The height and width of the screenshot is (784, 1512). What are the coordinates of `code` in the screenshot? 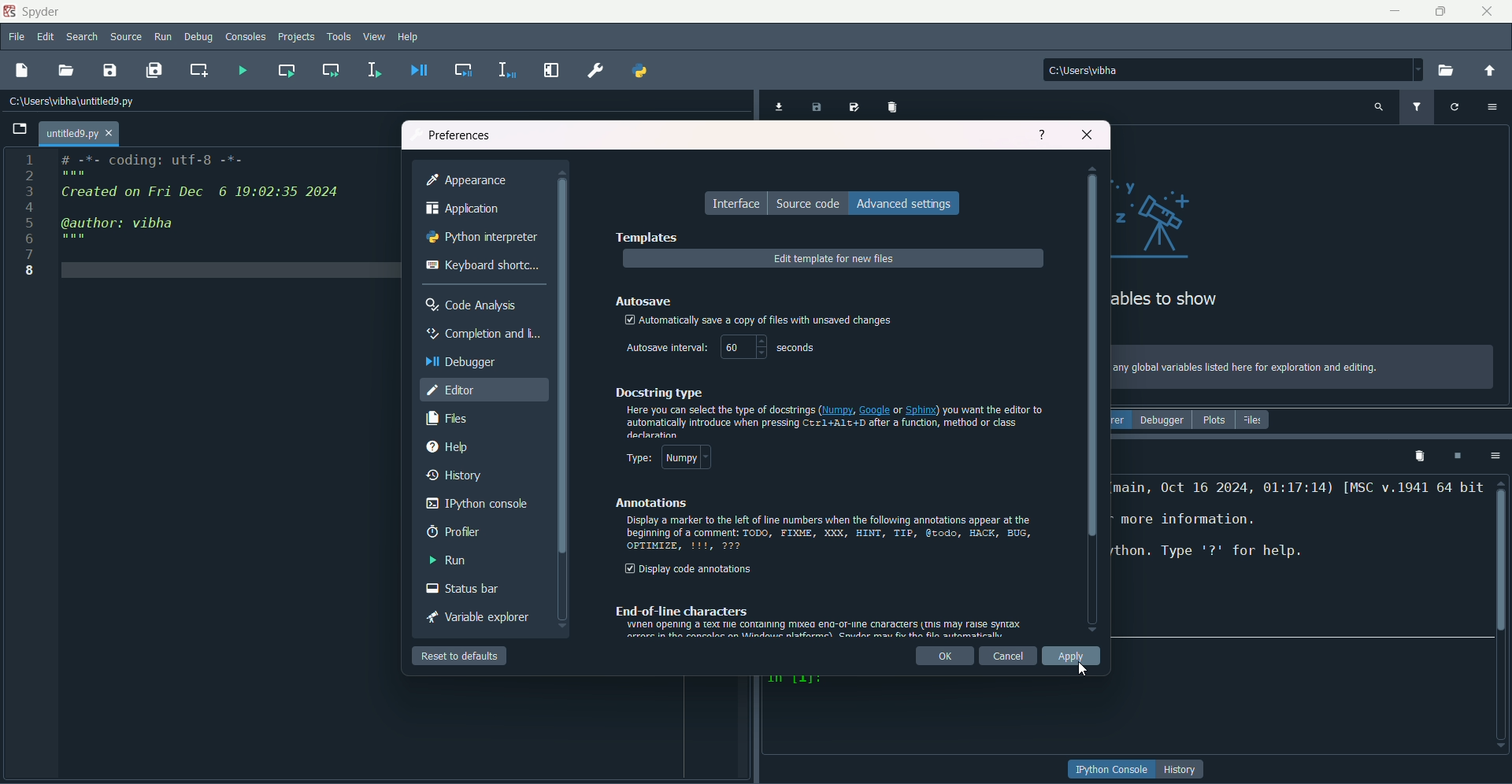 It's located at (202, 201).